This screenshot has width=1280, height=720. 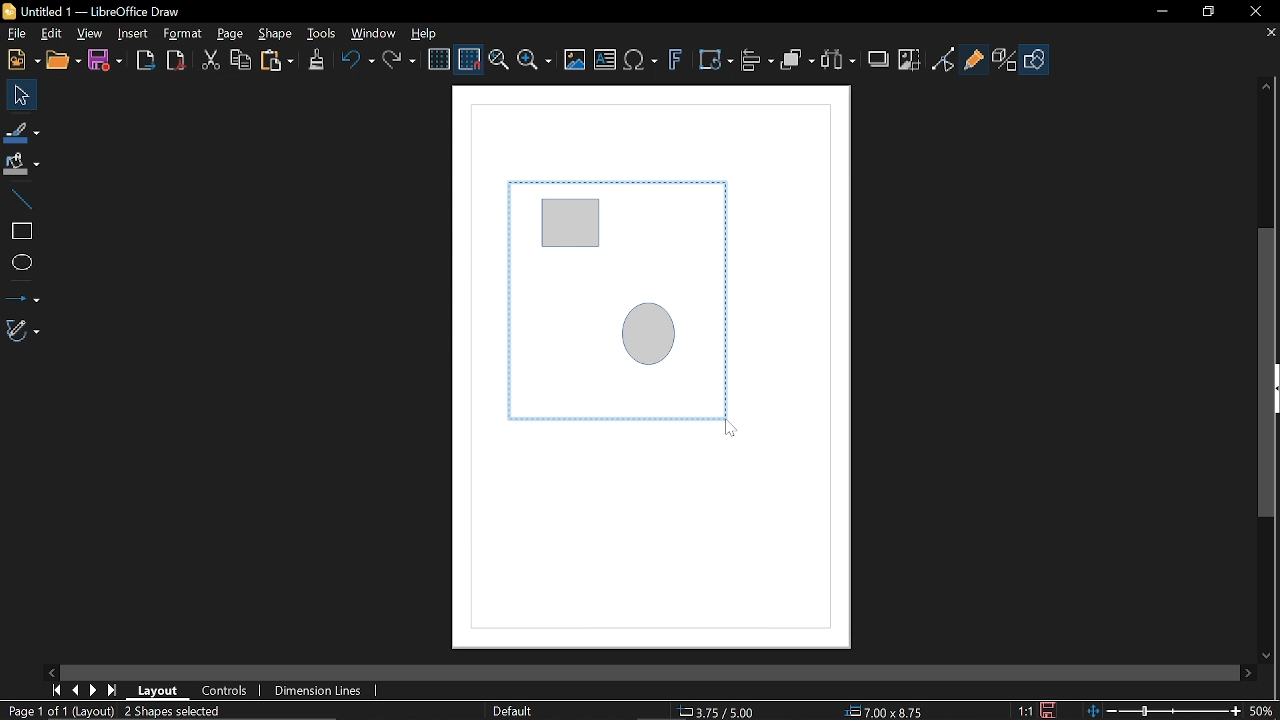 What do you see at coordinates (878, 59) in the screenshot?
I see `Shadow` at bounding box center [878, 59].